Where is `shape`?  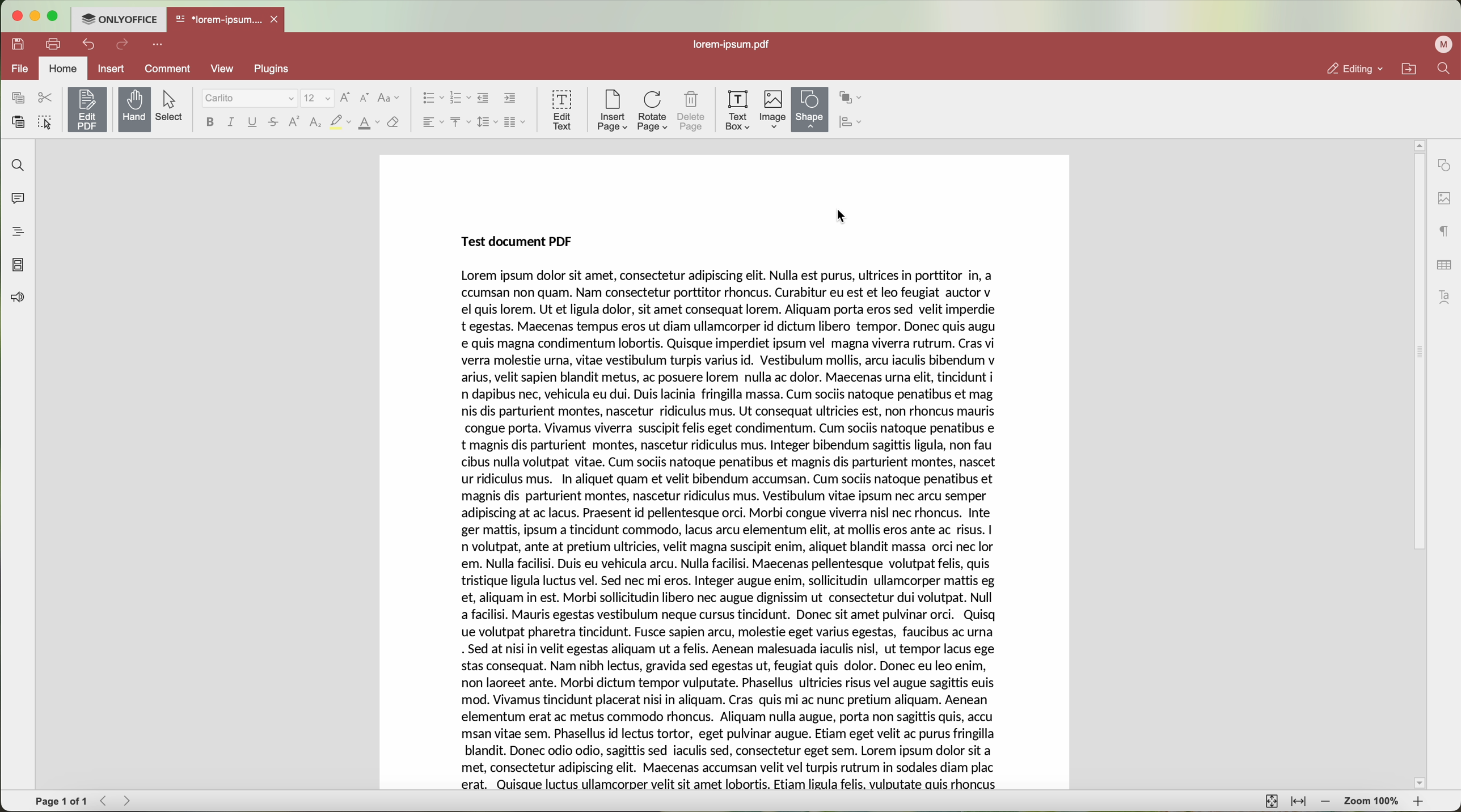
shape is located at coordinates (809, 109).